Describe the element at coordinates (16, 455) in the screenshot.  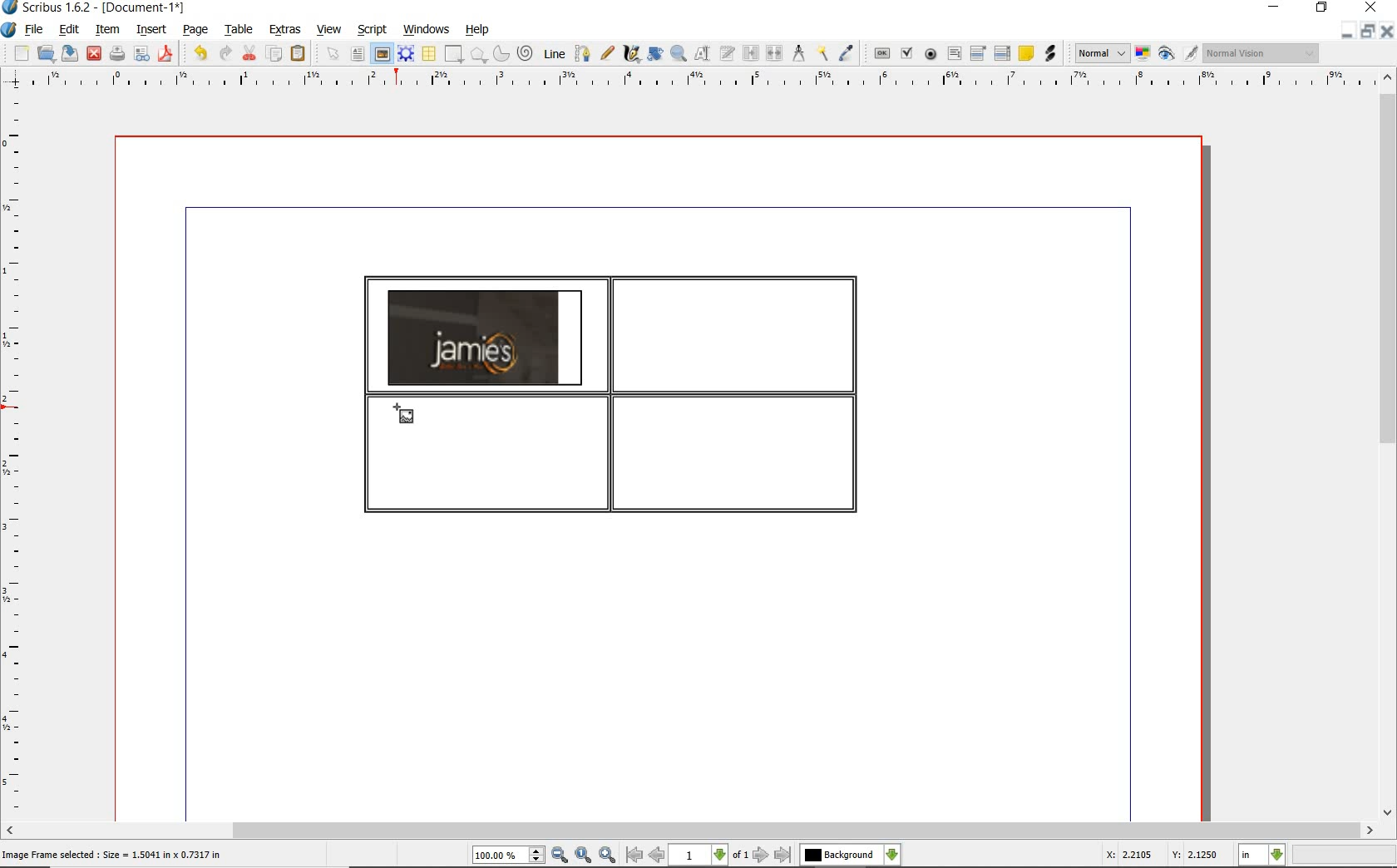
I see `ruler` at that location.